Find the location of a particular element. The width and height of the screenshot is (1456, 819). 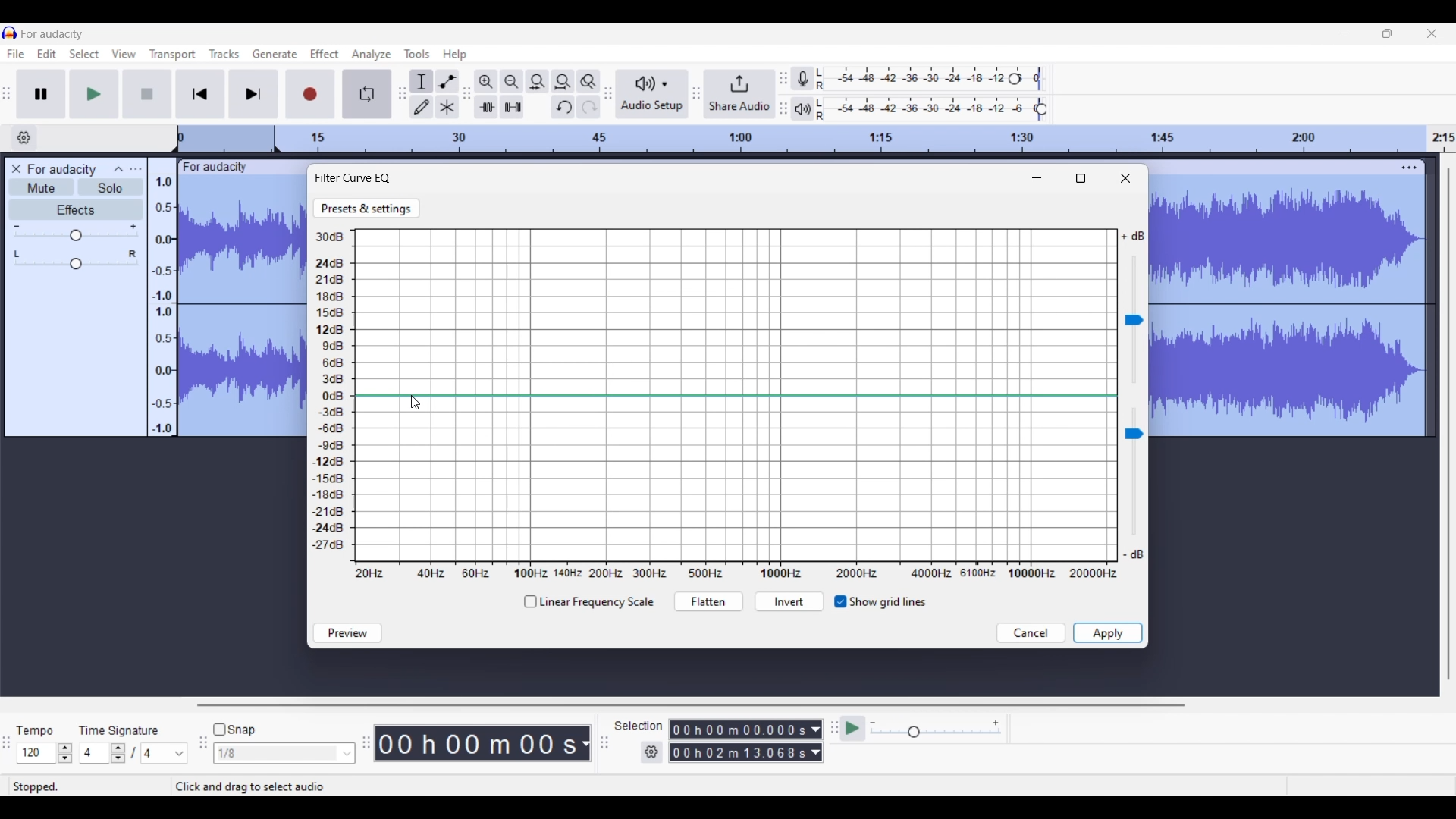

Change pan is located at coordinates (76, 265).